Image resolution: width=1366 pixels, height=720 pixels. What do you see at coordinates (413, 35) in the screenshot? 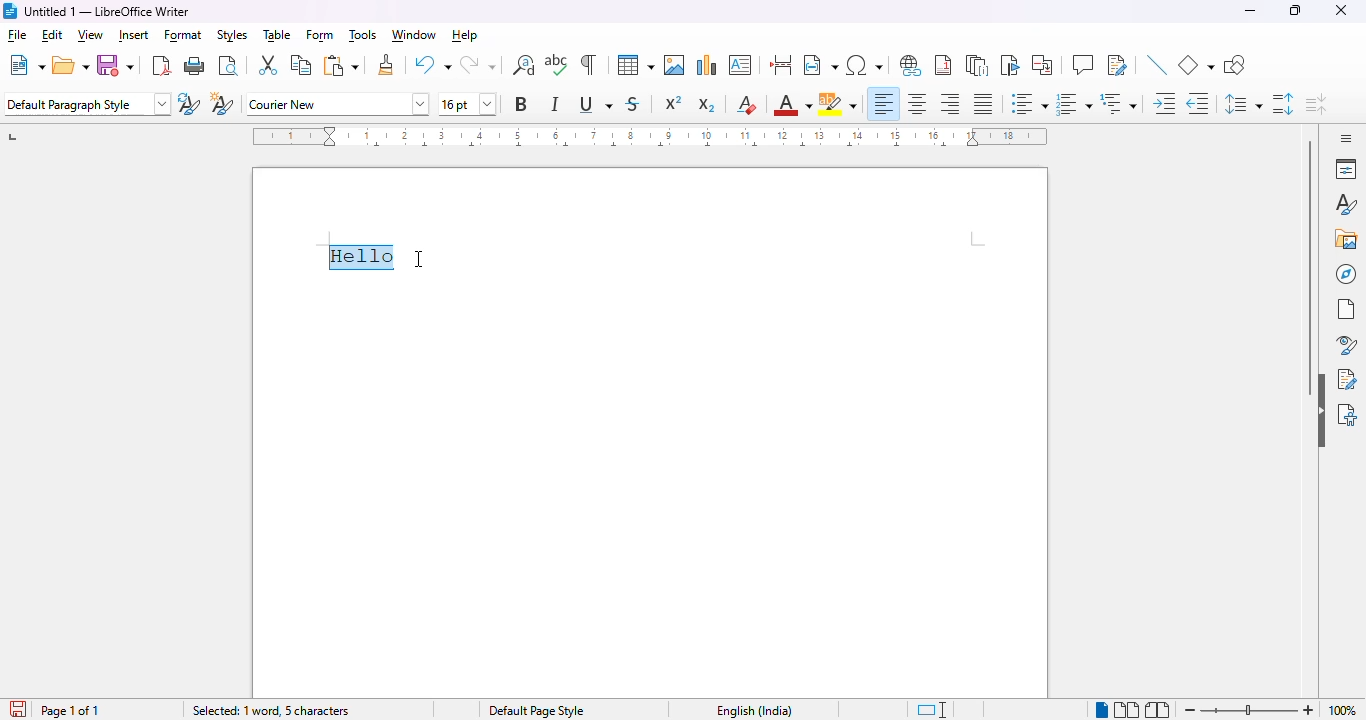
I see `window` at bounding box center [413, 35].